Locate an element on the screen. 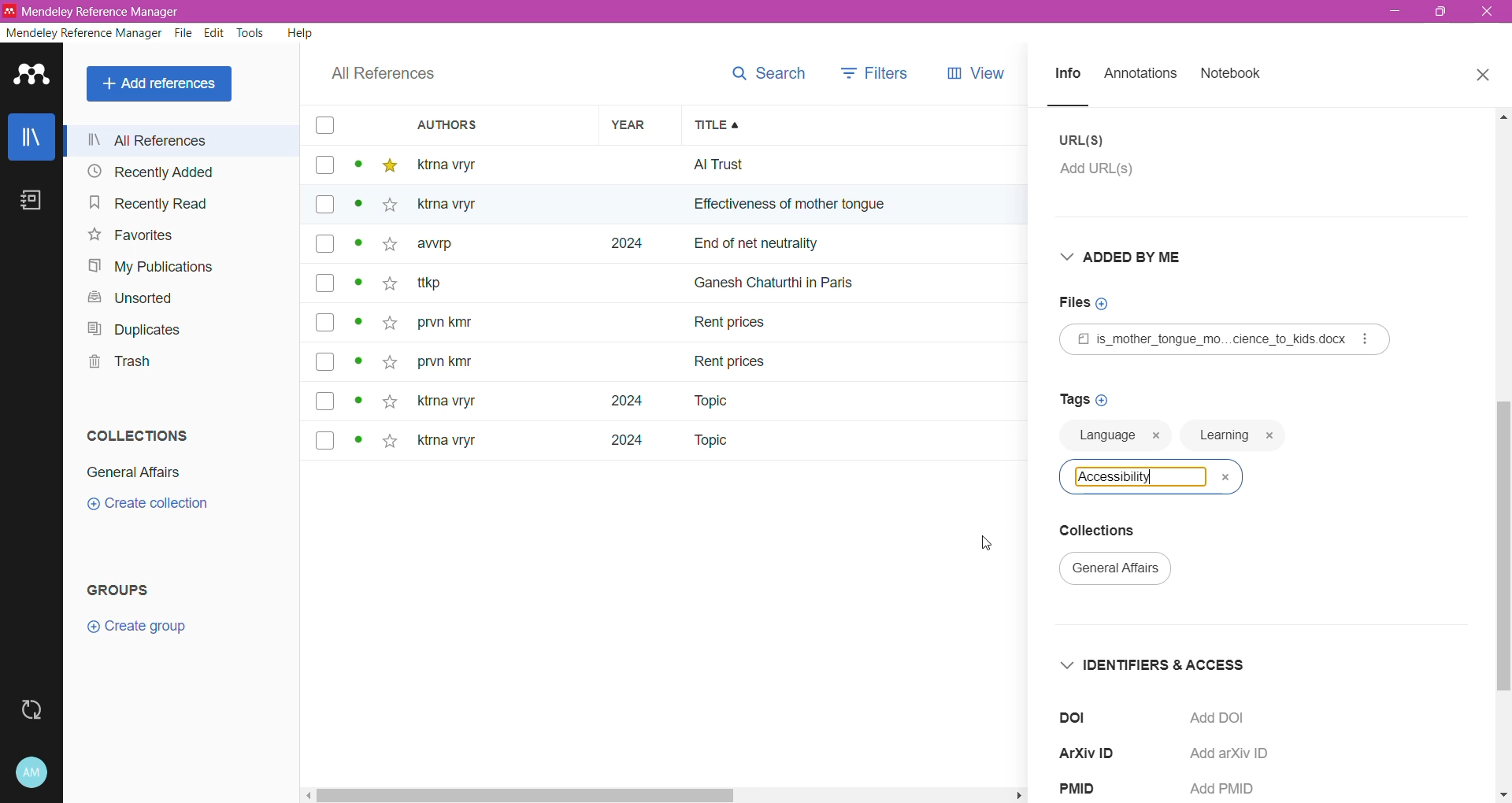 The height and width of the screenshot is (803, 1512).  is located at coordinates (458, 205).